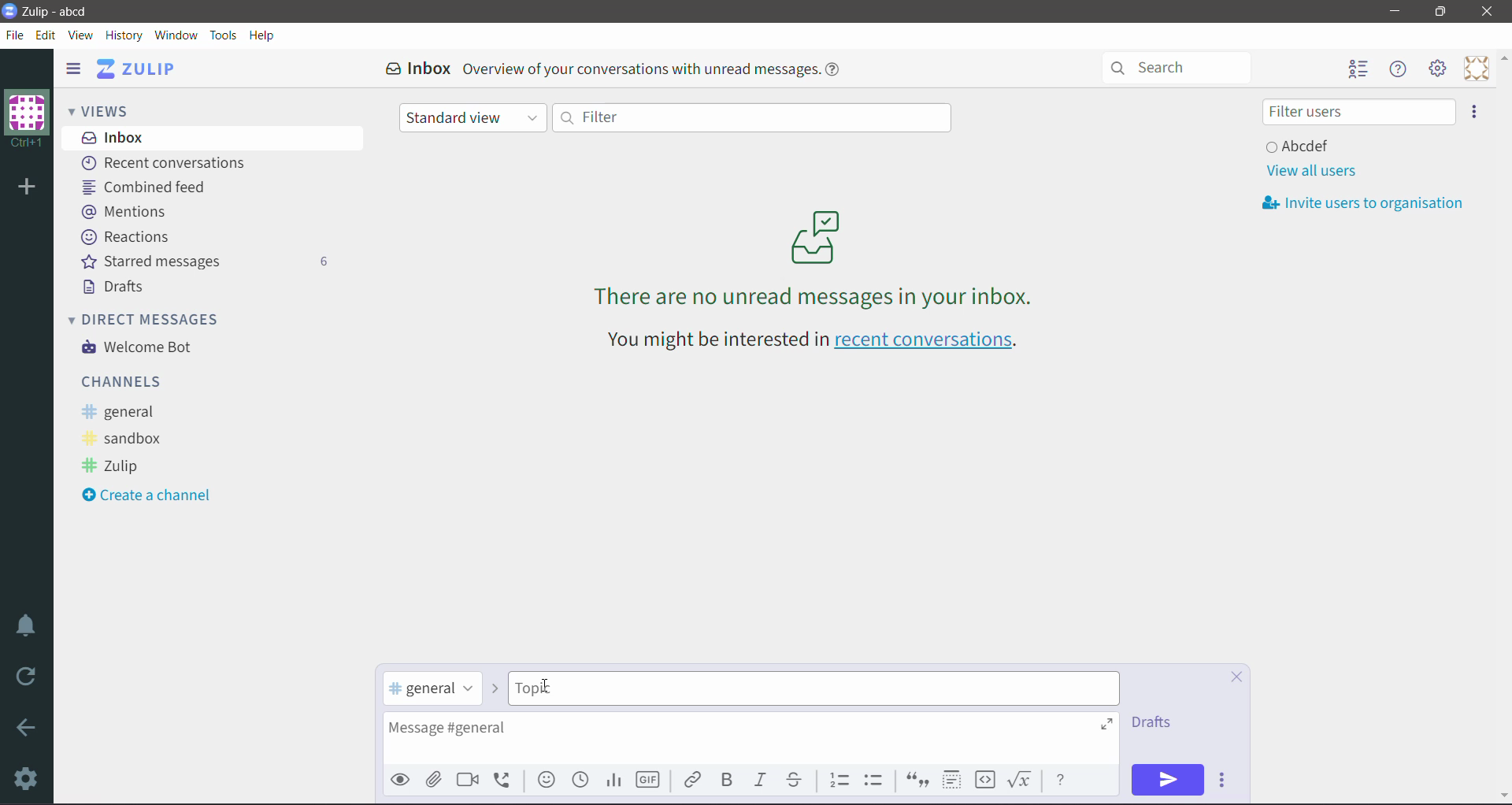  I want to click on Hide left sidebar, so click(72, 68).